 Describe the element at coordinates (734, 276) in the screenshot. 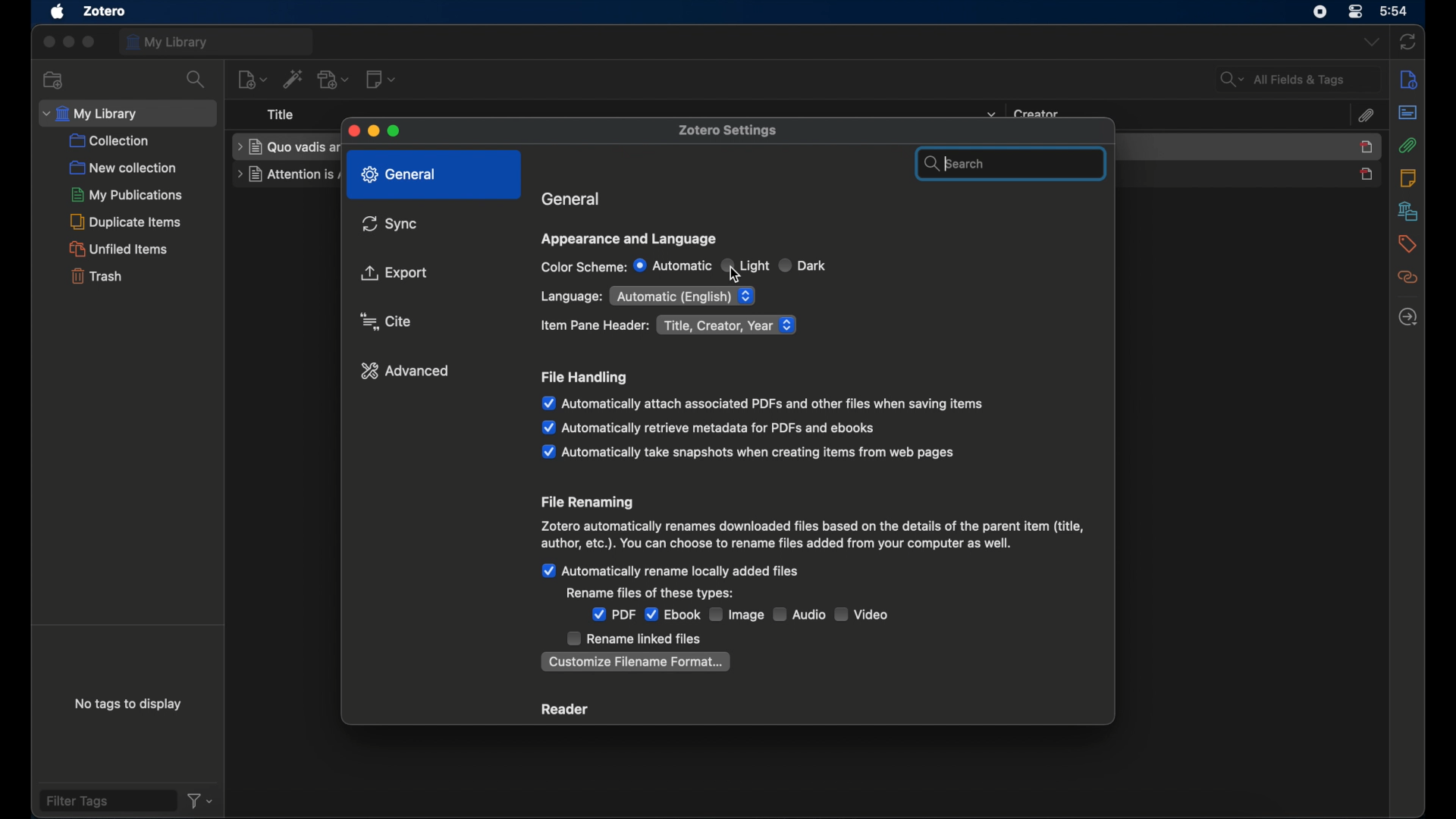

I see `Cursor` at that location.